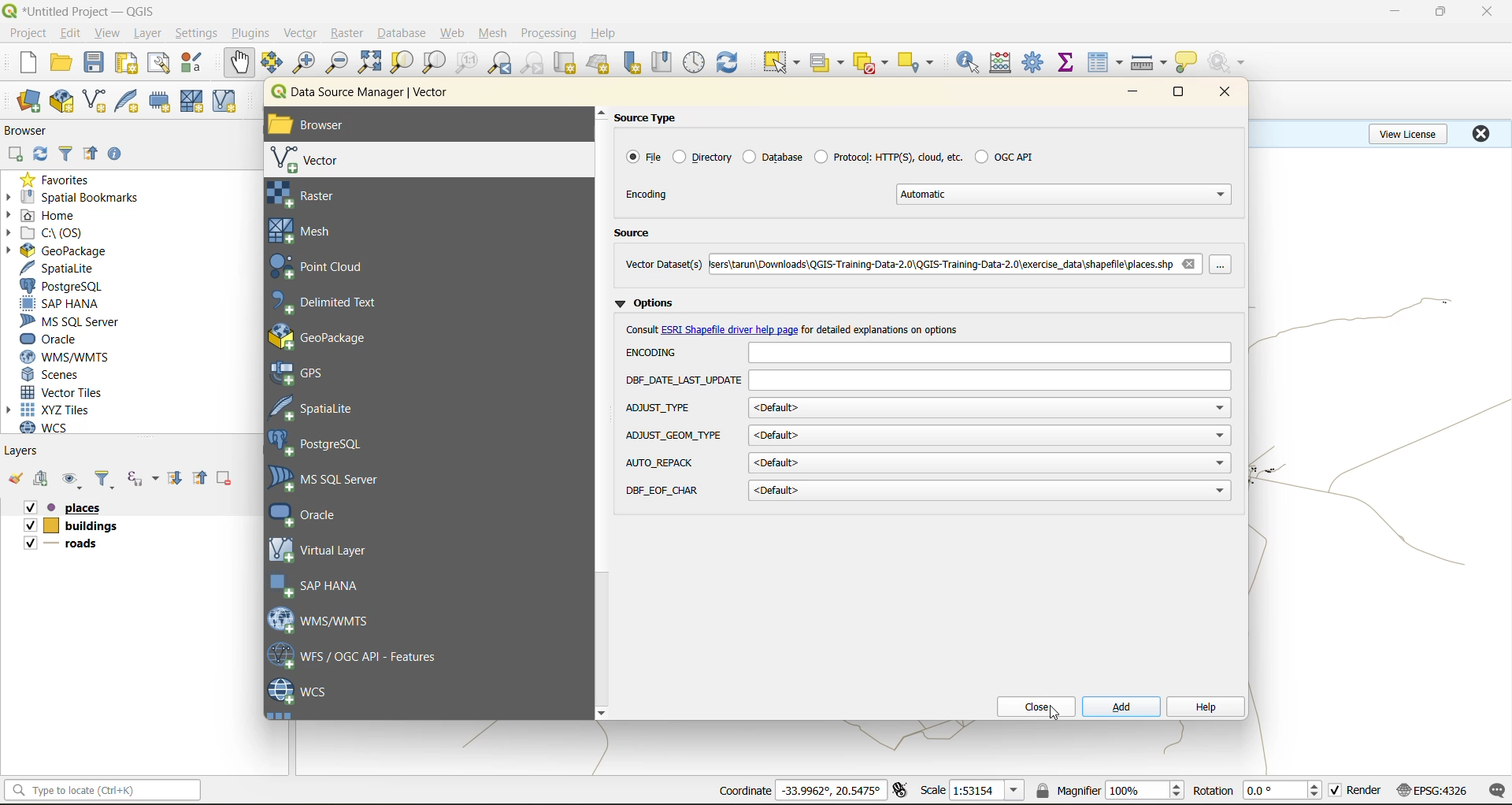  I want to click on magnifier, so click(1067, 790).